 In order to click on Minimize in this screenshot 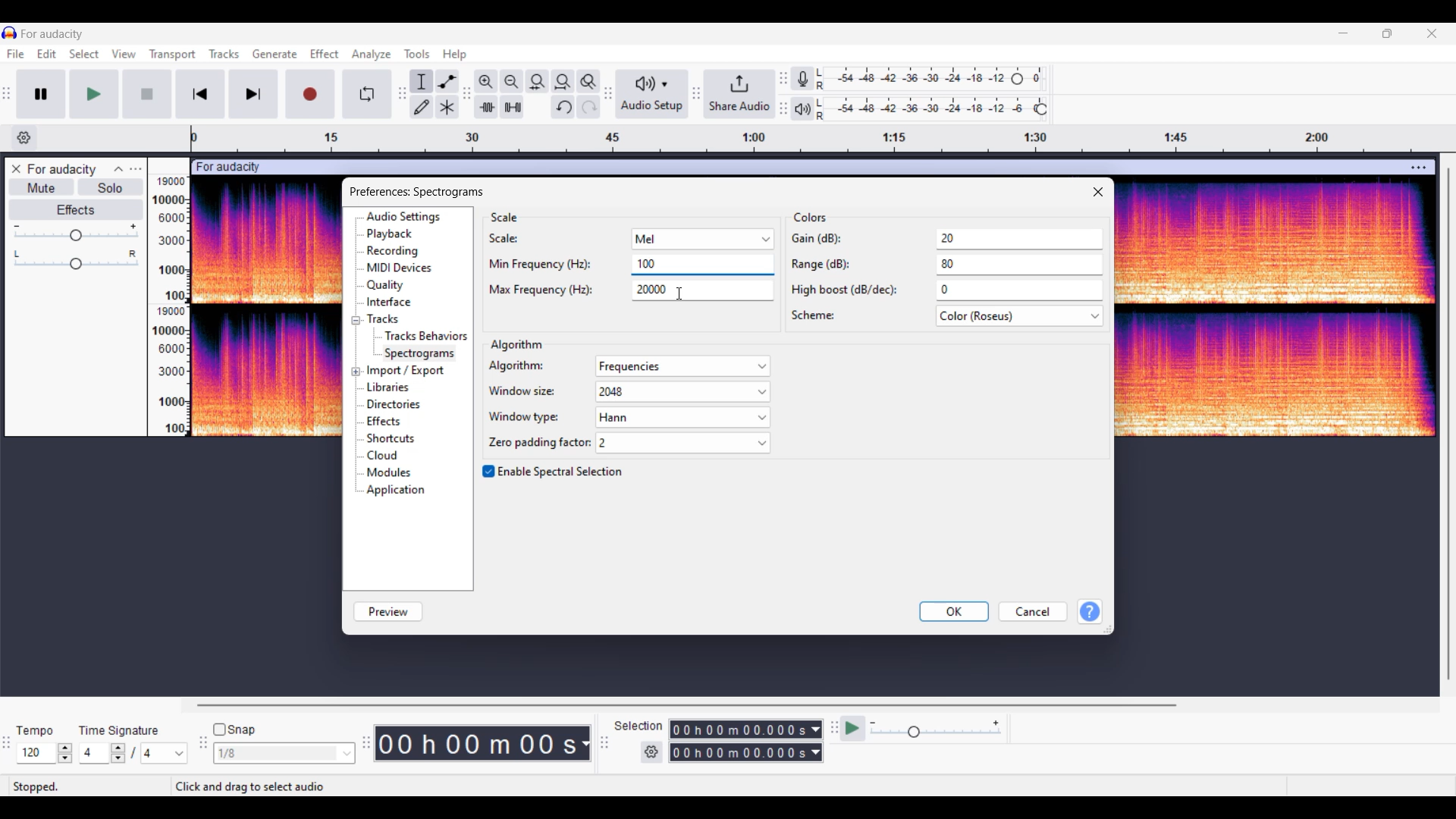, I will do `click(1344, 33)`.